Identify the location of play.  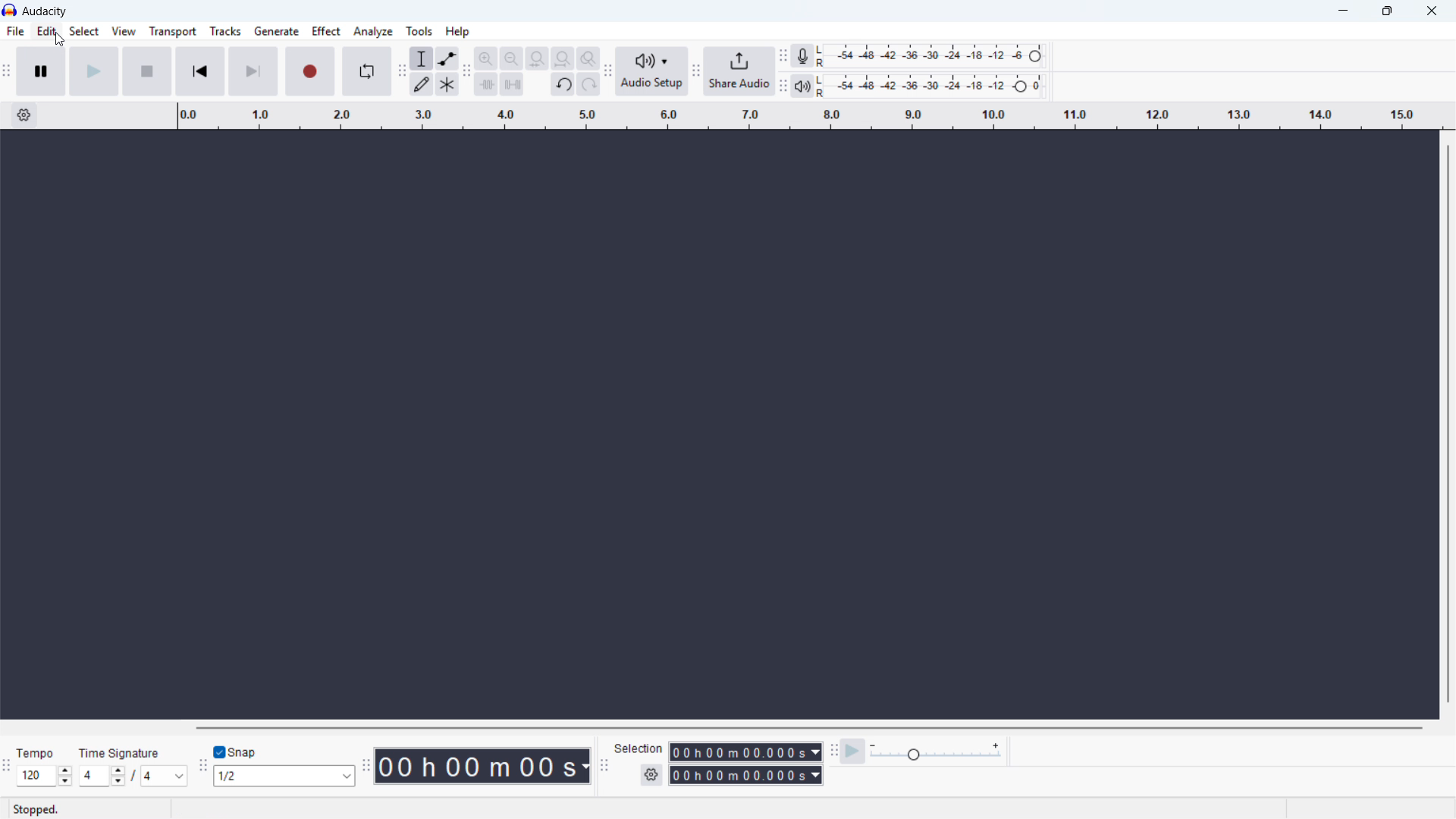
(94, 71).